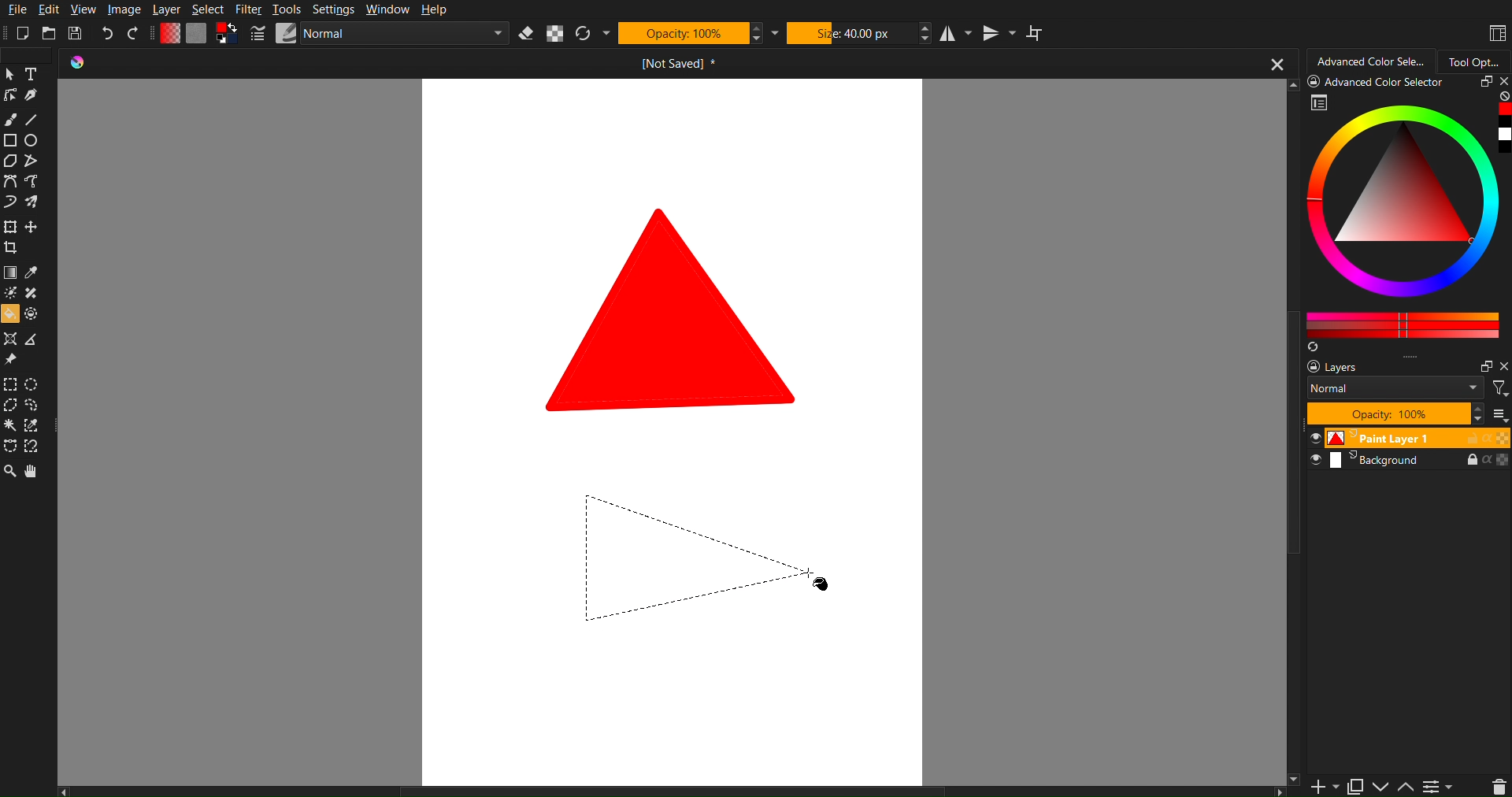 The width and height of the screenshot is (1512, 797). What do you see at coordinates (581, 34) in the screenshot?
I see `Refresh` at bounding box center [581, 34].